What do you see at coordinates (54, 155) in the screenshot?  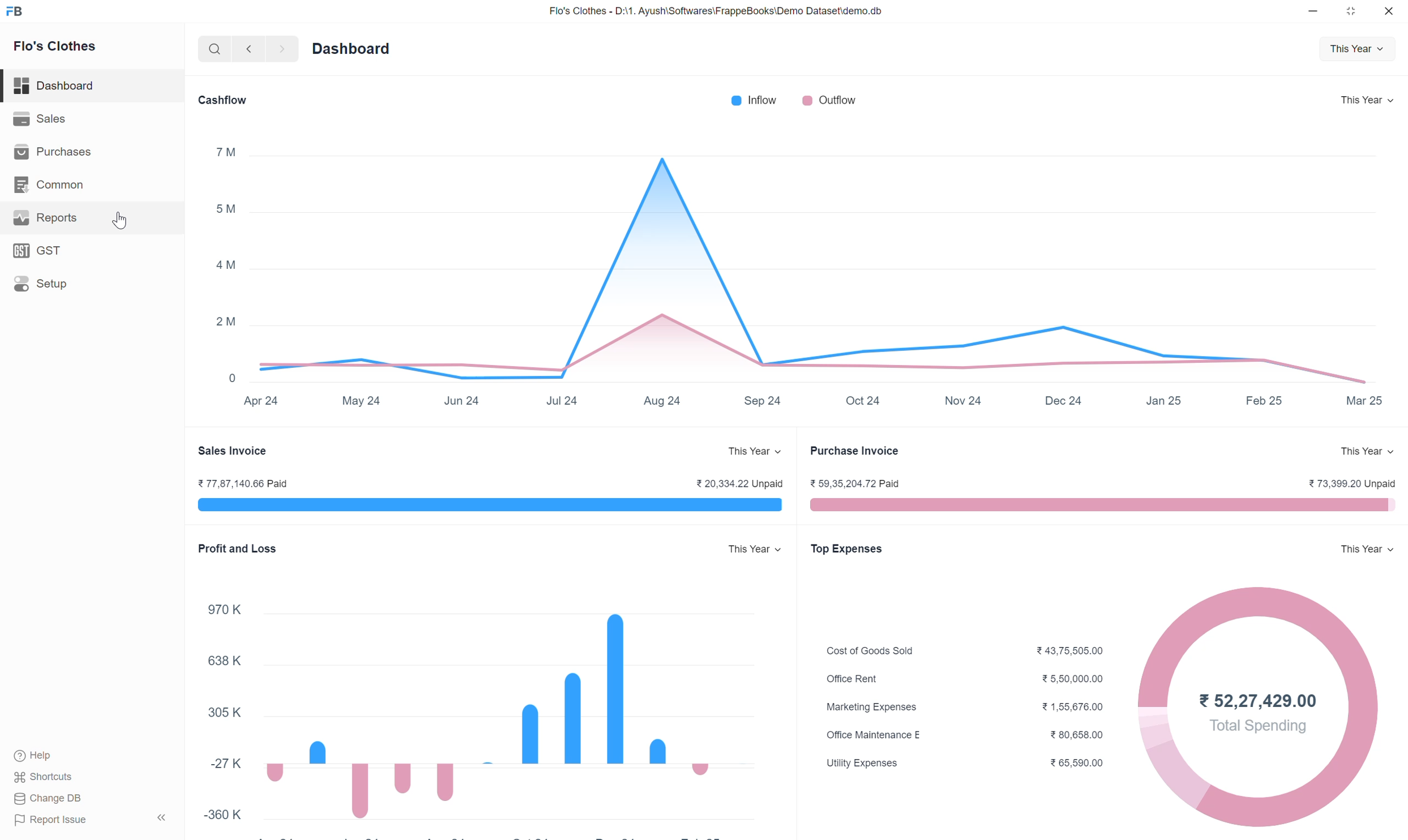 I see `Purchases` at bounding box center [54, 155].